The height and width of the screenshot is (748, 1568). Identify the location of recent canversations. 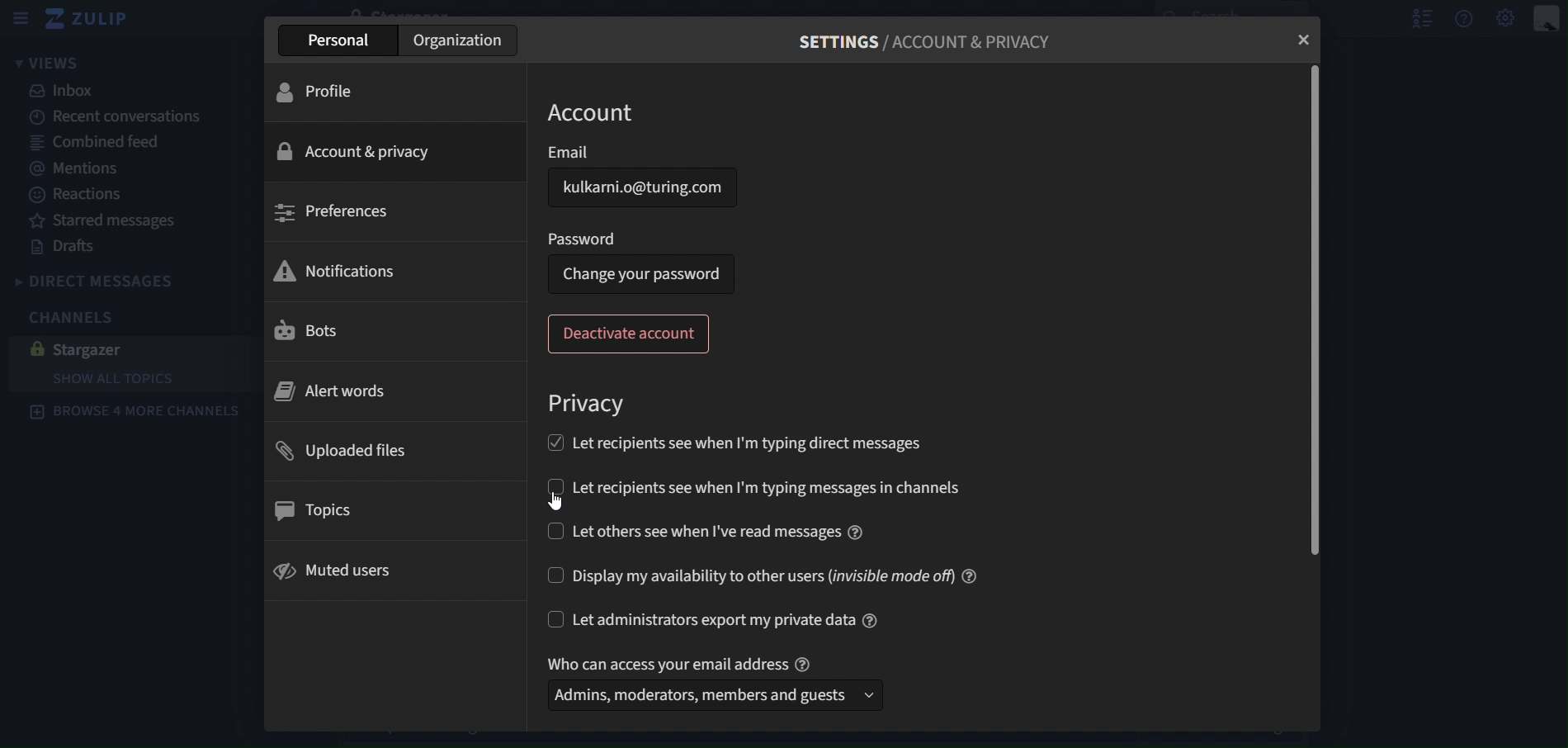
(116, 116).